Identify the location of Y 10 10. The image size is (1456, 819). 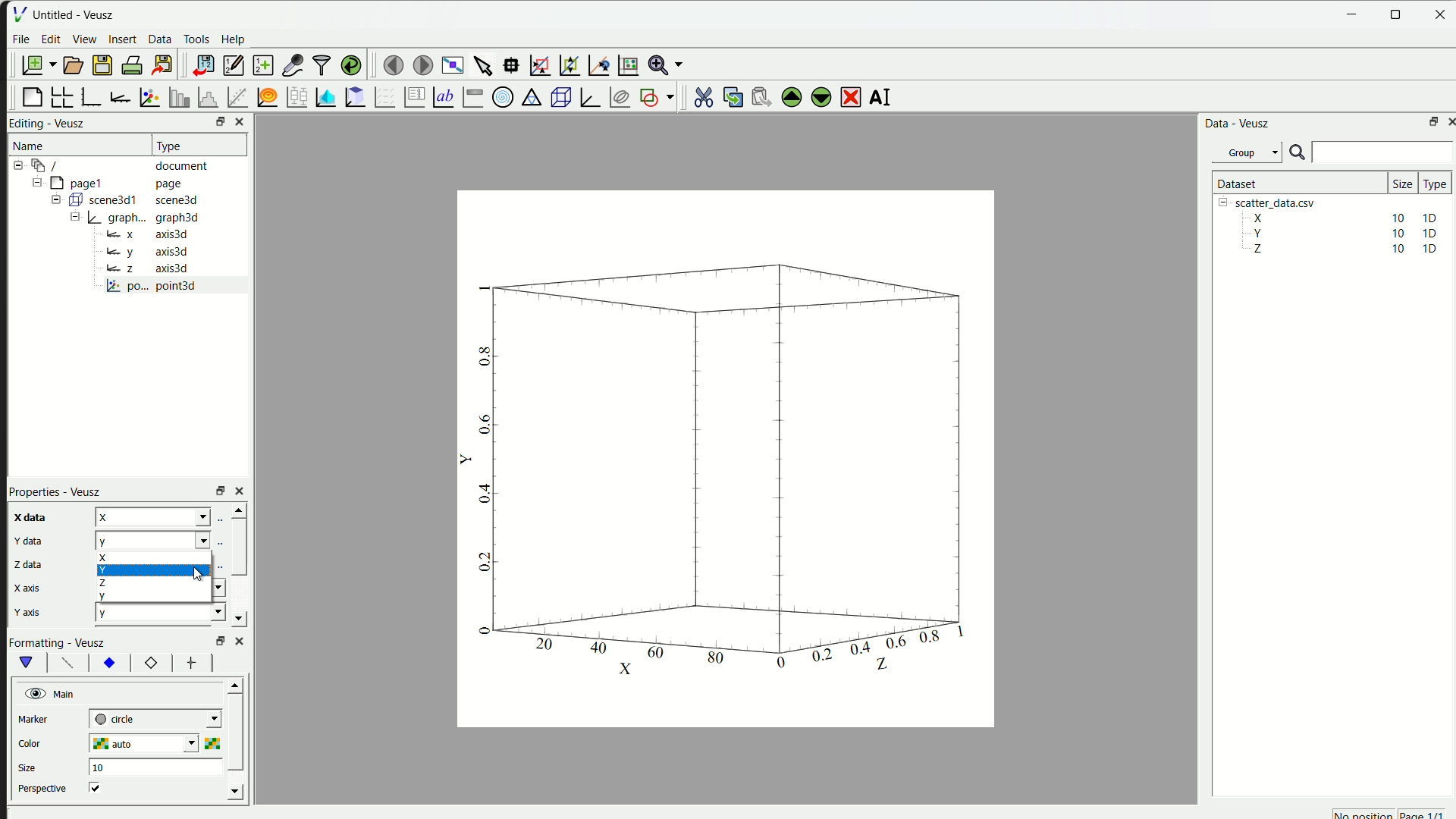
(1339, 234).